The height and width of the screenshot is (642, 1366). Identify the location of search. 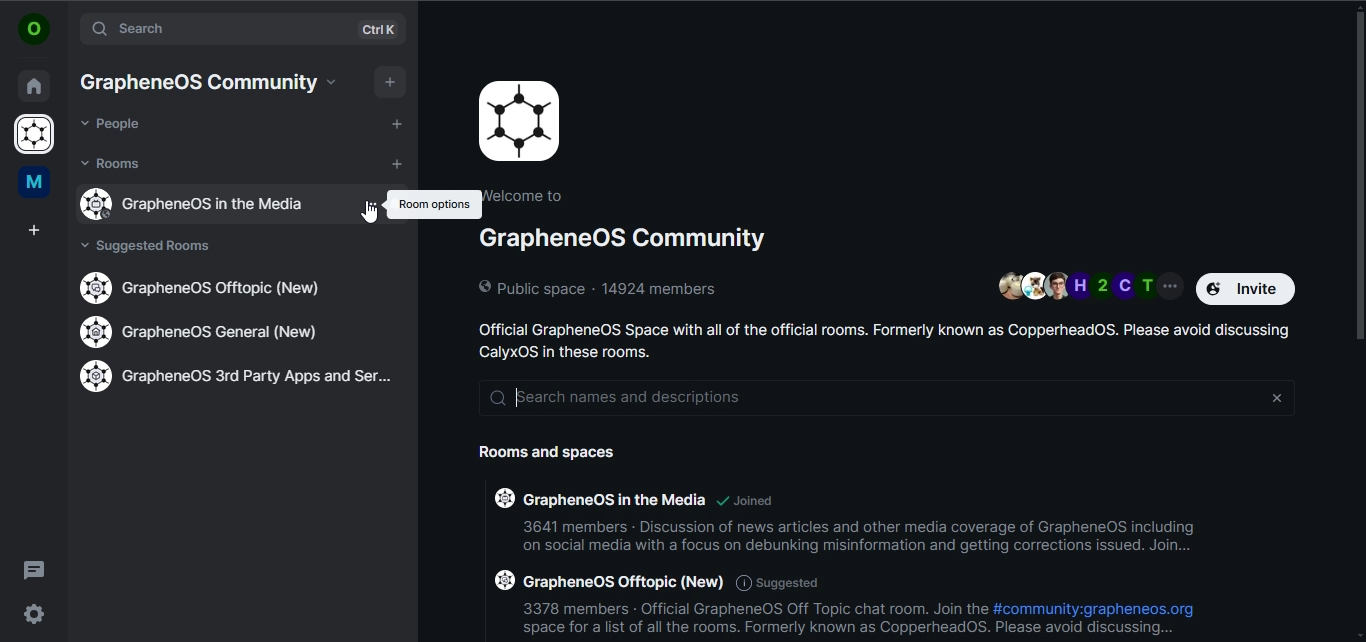
(893, 399).